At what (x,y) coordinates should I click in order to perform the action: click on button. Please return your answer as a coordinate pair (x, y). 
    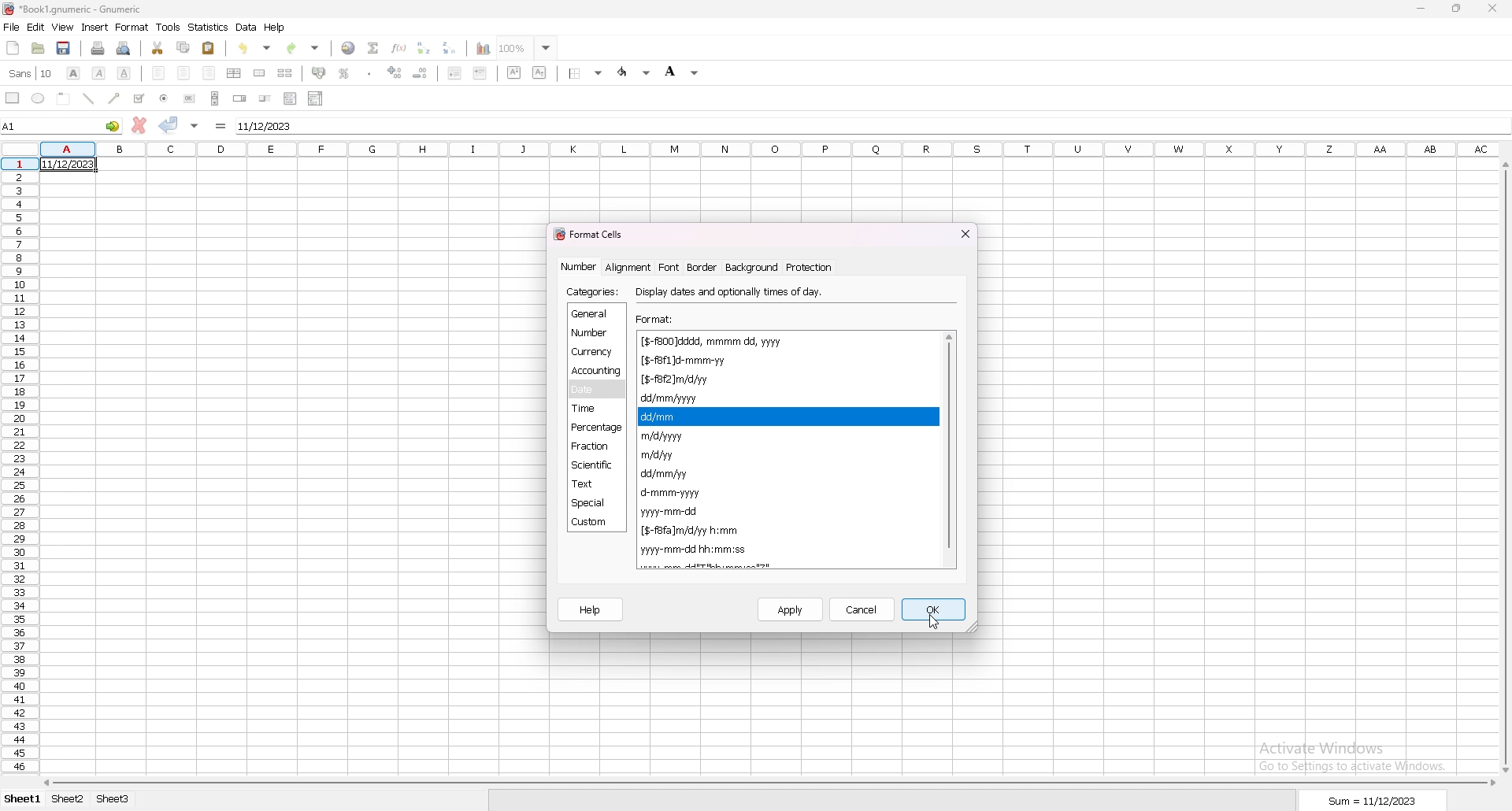
    Looking at the image, I should click on (189, 98).